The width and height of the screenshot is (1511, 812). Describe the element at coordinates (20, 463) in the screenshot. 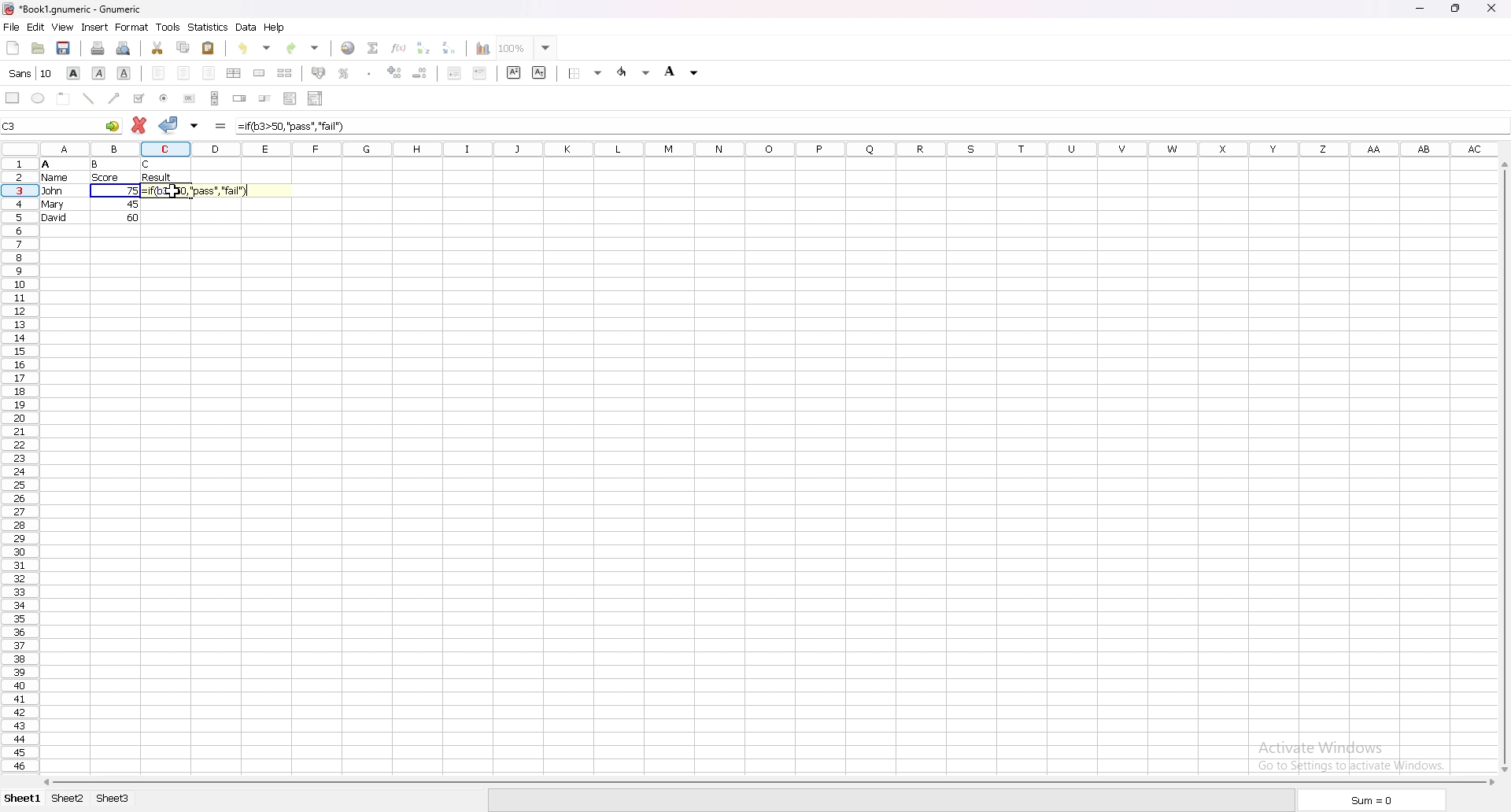

I see `row` at that location.